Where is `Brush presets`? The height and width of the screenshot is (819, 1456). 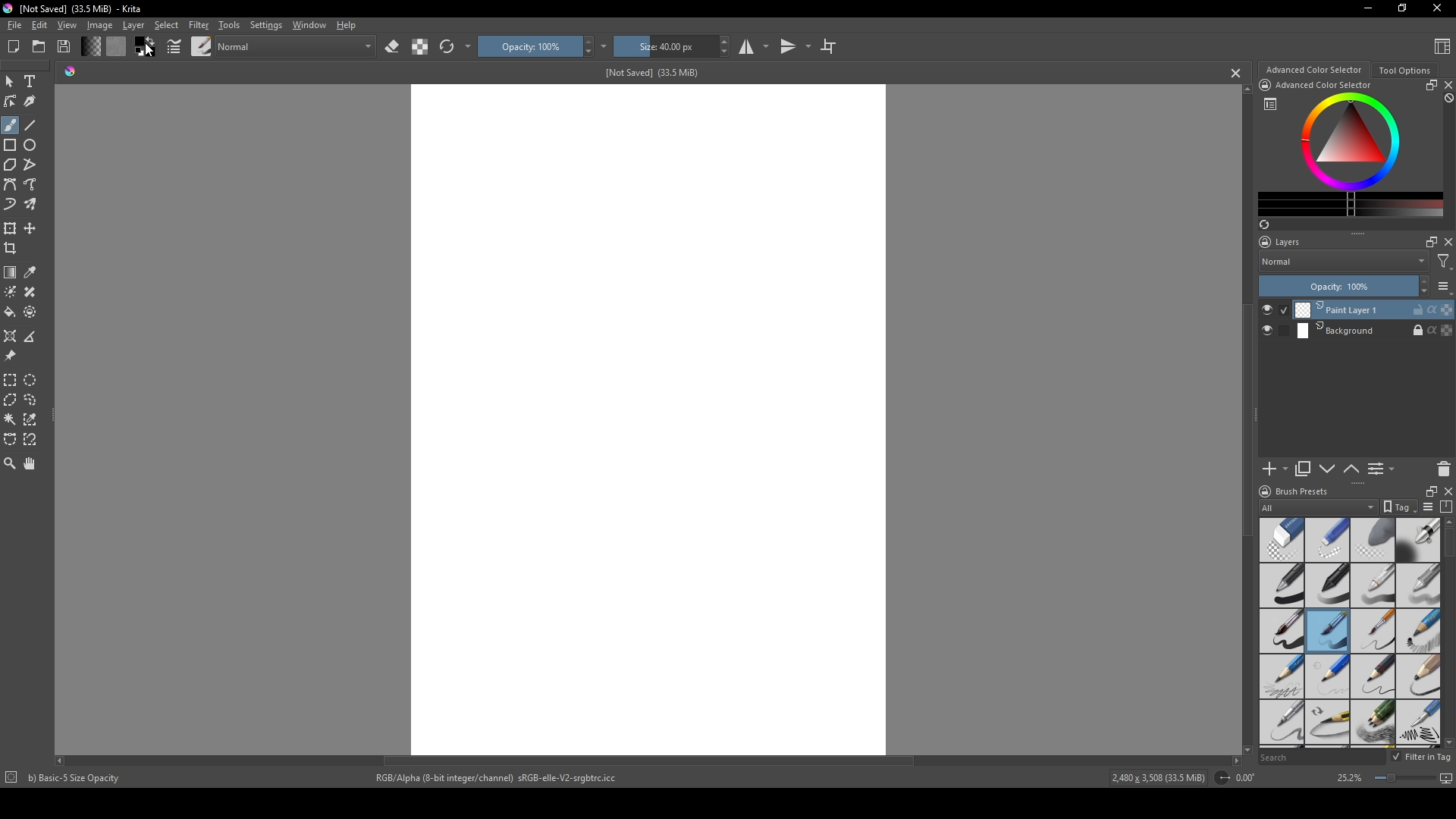 Brush presets is located at coordinates (1303, 491).